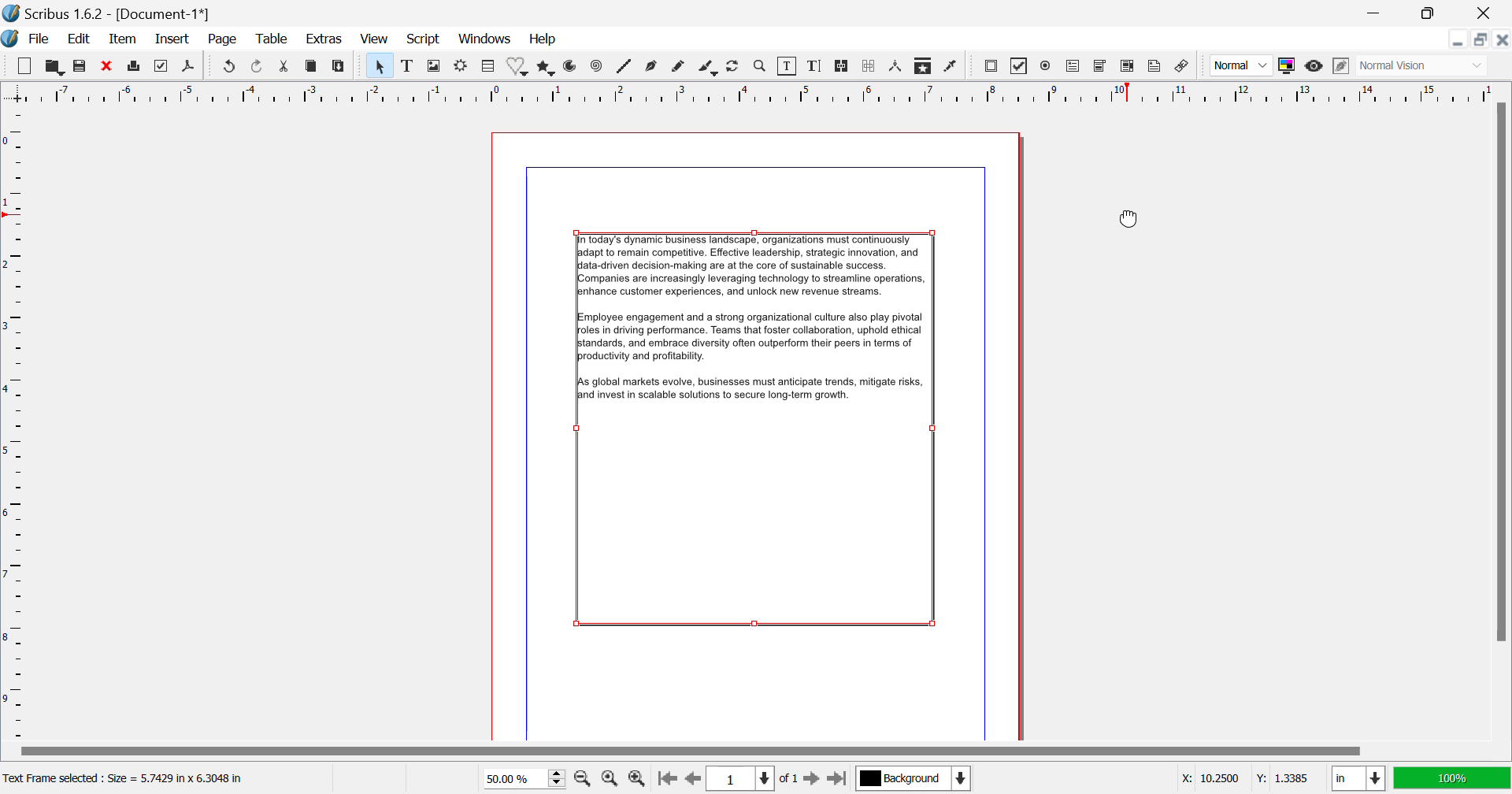  I want to click on Scribus Logo, so click(9, 39).